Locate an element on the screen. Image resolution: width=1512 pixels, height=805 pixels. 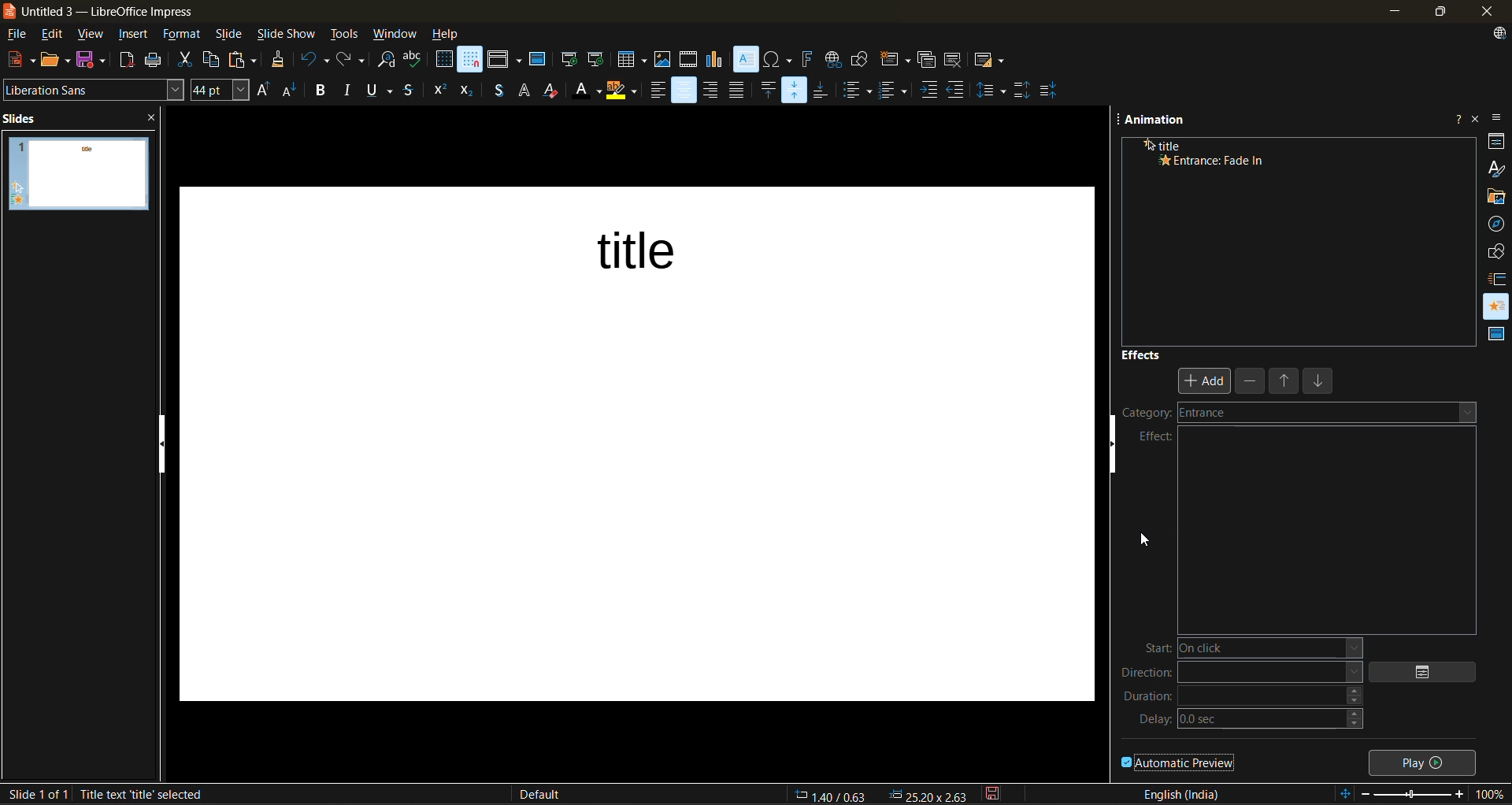
slide is located at coordinates (94, 174).